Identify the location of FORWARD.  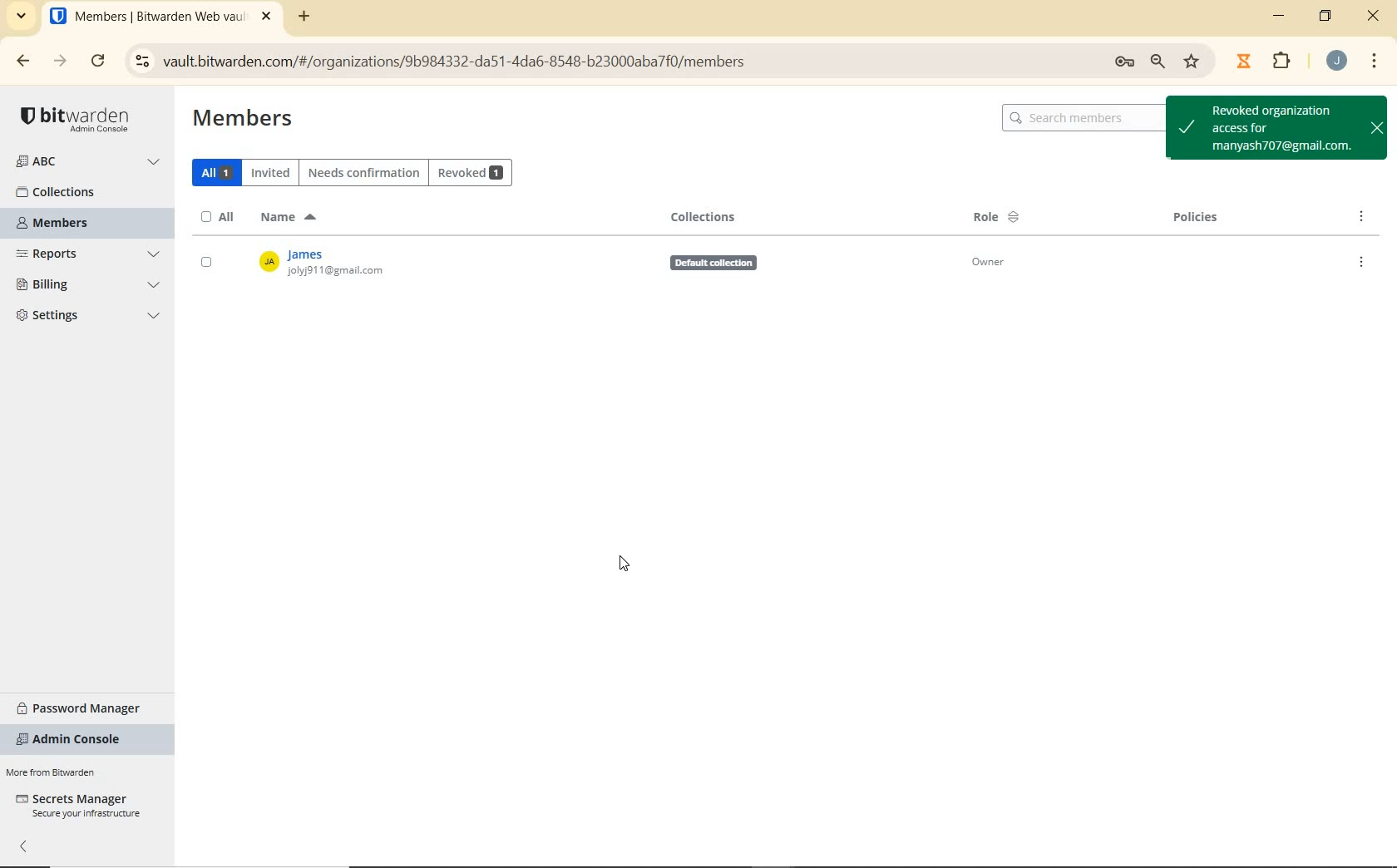
(57, 62).